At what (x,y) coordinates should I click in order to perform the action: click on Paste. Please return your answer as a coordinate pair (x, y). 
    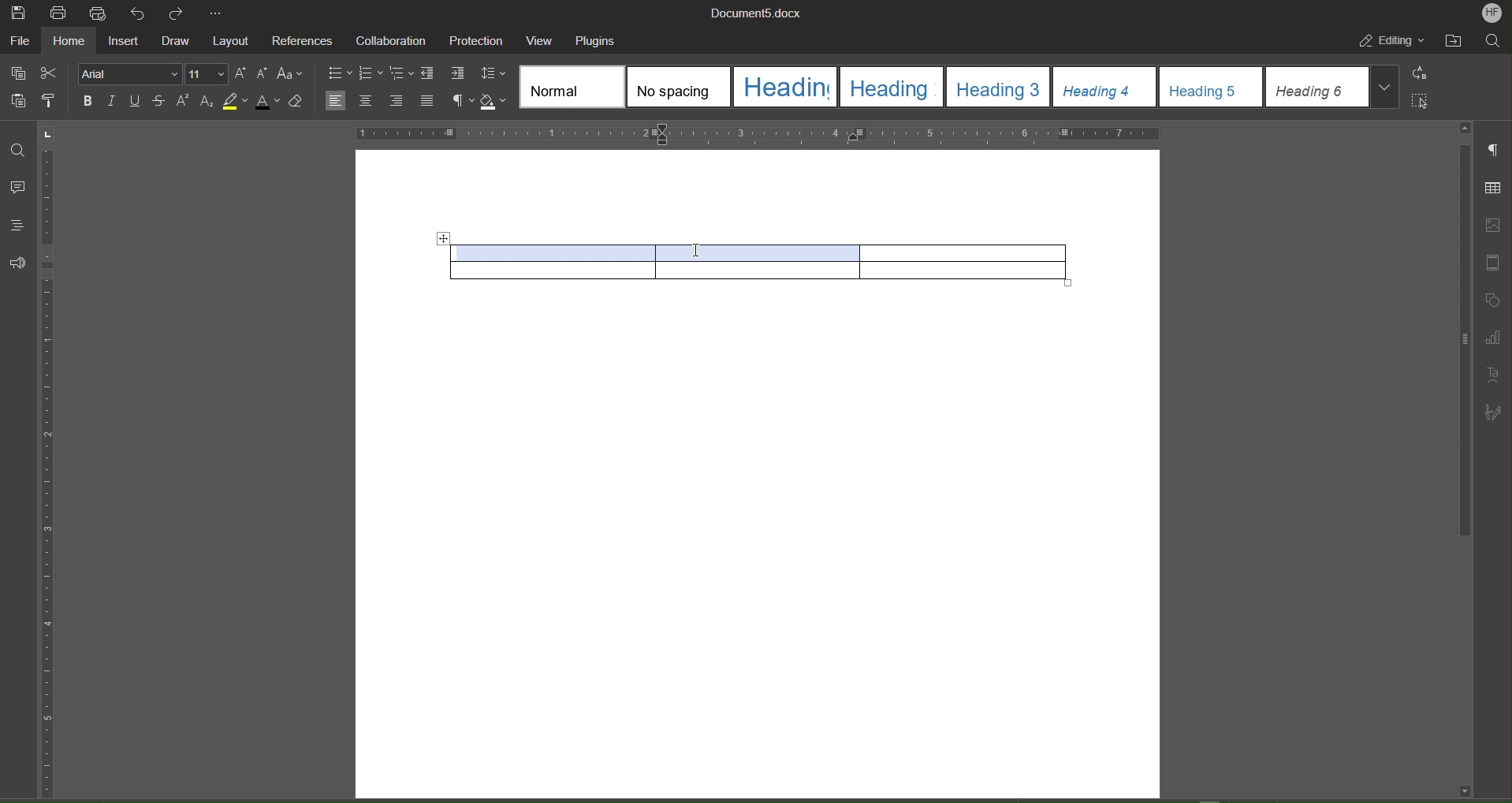
    Looking at the image, I should click on (15, 103).